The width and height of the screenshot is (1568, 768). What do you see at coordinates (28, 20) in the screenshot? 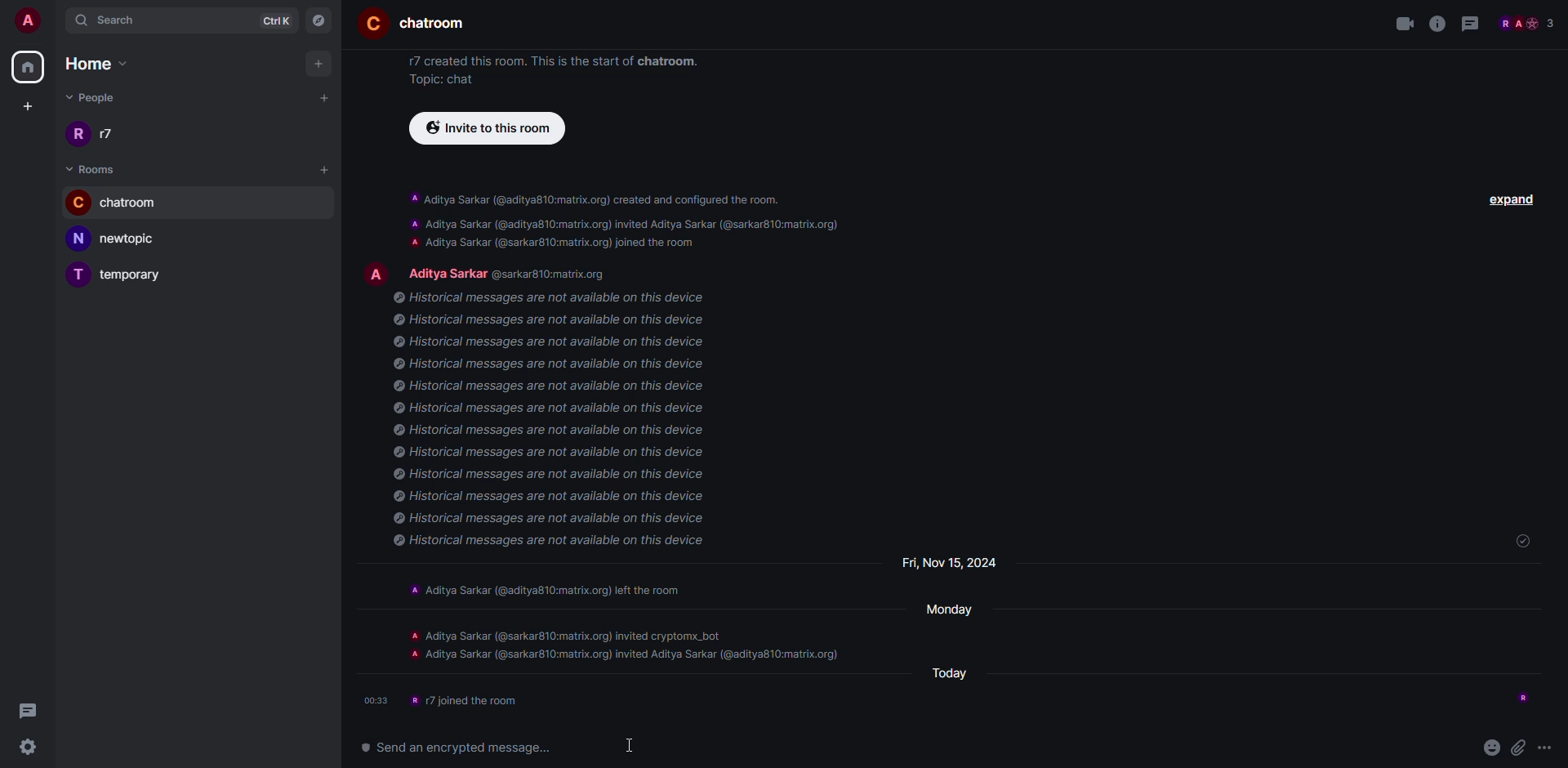
I see `account` at bounding box center [28, 20].